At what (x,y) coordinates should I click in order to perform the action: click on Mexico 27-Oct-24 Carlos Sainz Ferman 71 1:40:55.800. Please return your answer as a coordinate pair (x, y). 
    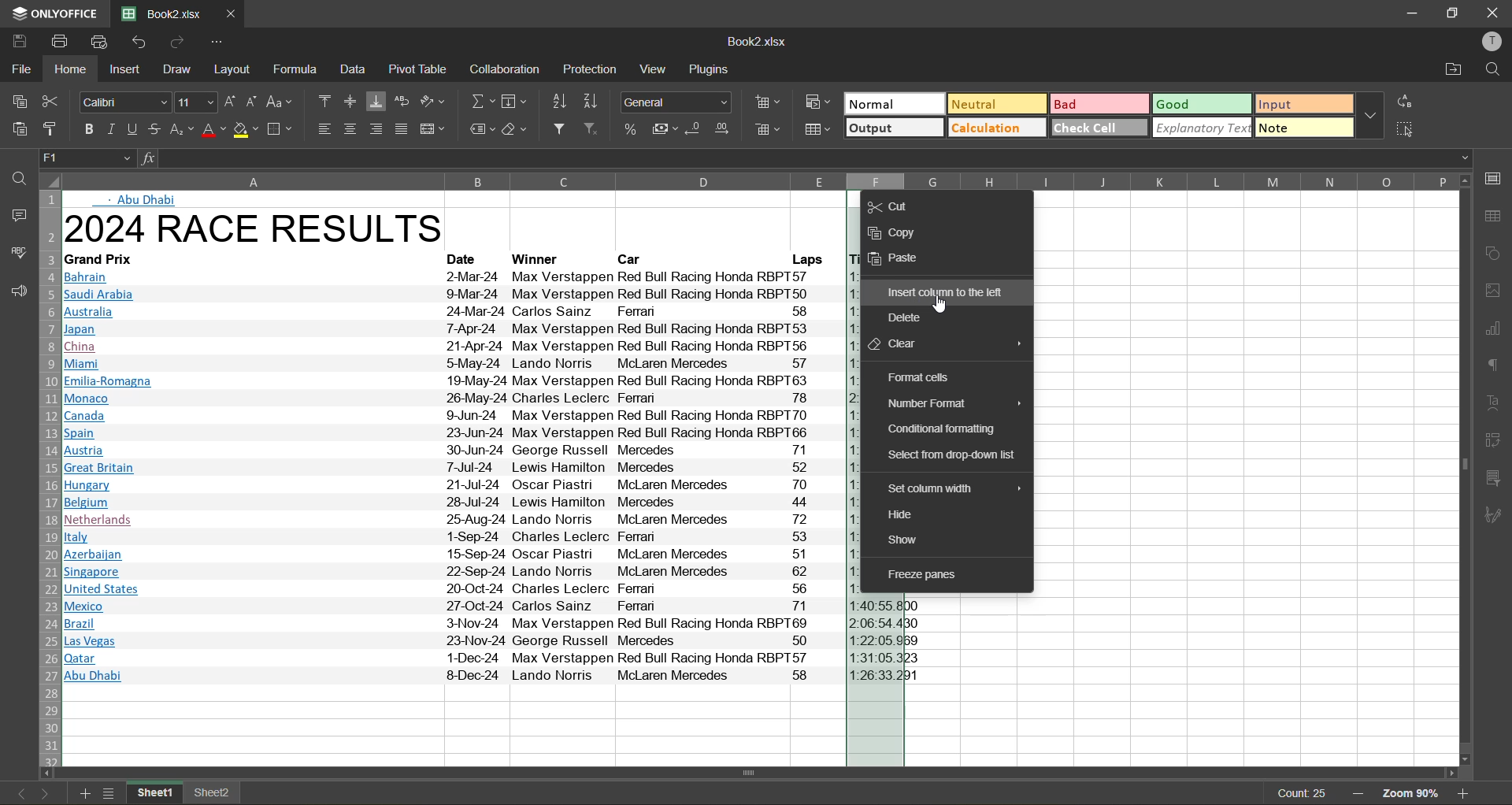
    Looking at the image, I should click on (493, 606).